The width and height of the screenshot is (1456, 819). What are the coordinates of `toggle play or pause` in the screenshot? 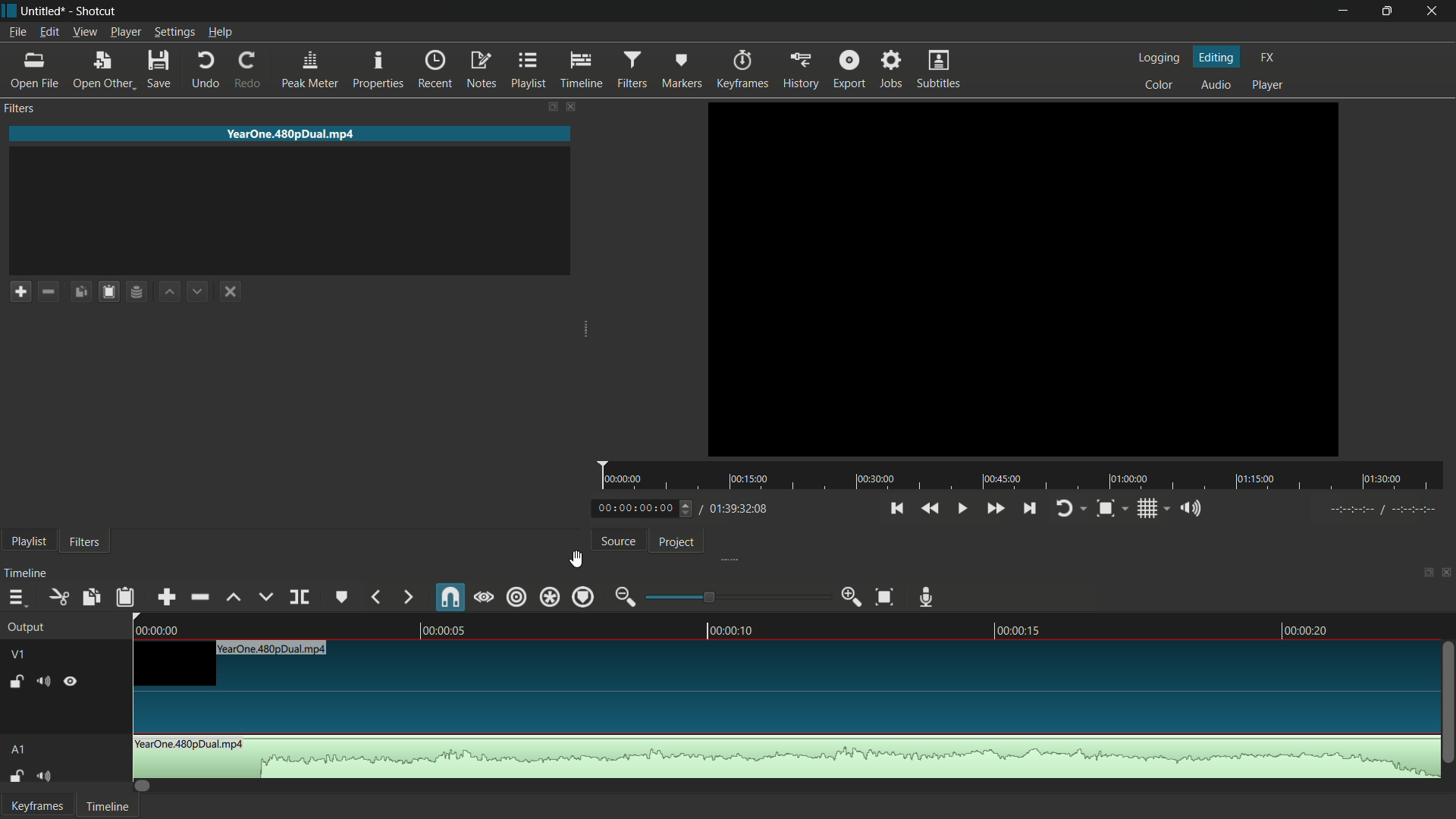 It's located at (959, 508).